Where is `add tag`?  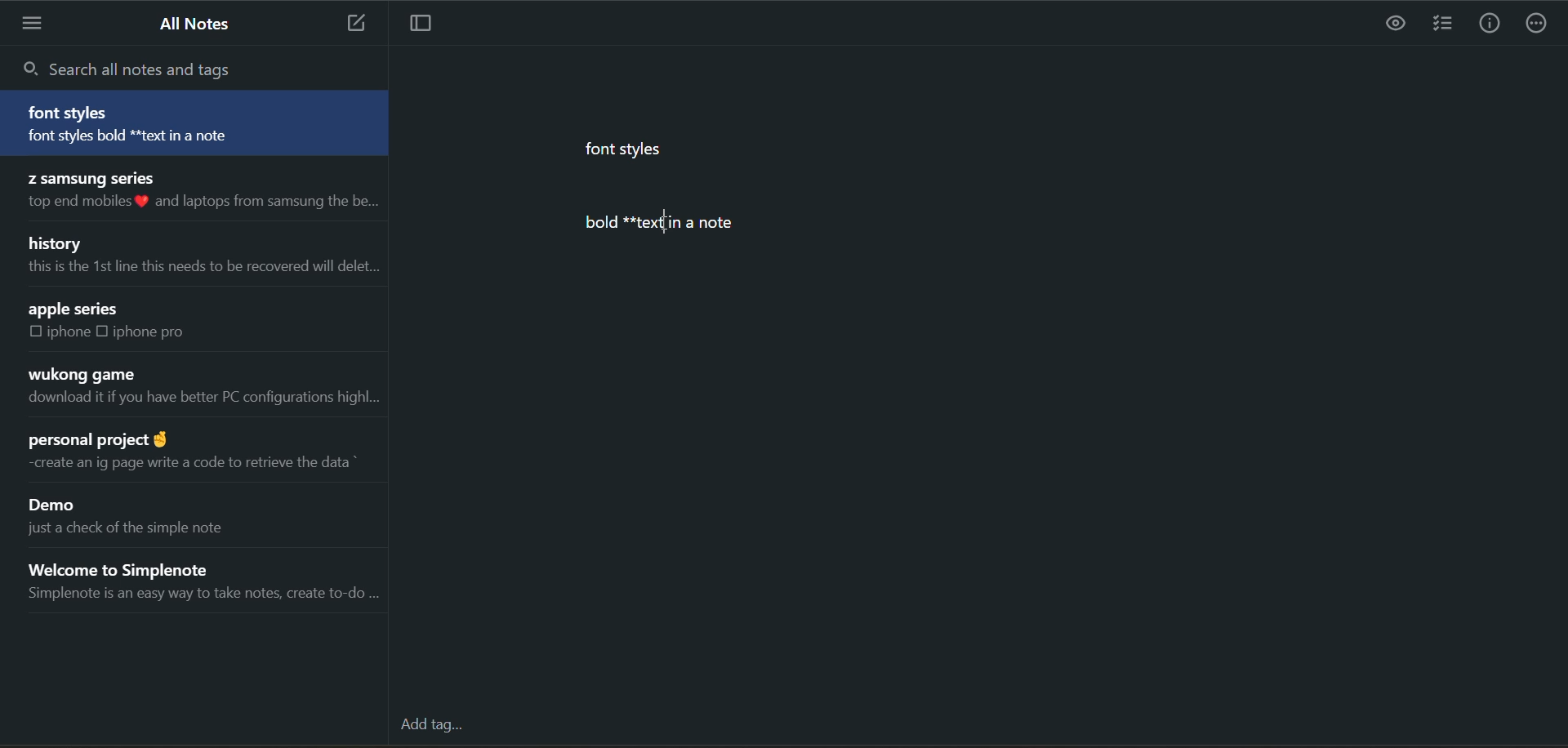
add tag is located at coordinates (439, 732).